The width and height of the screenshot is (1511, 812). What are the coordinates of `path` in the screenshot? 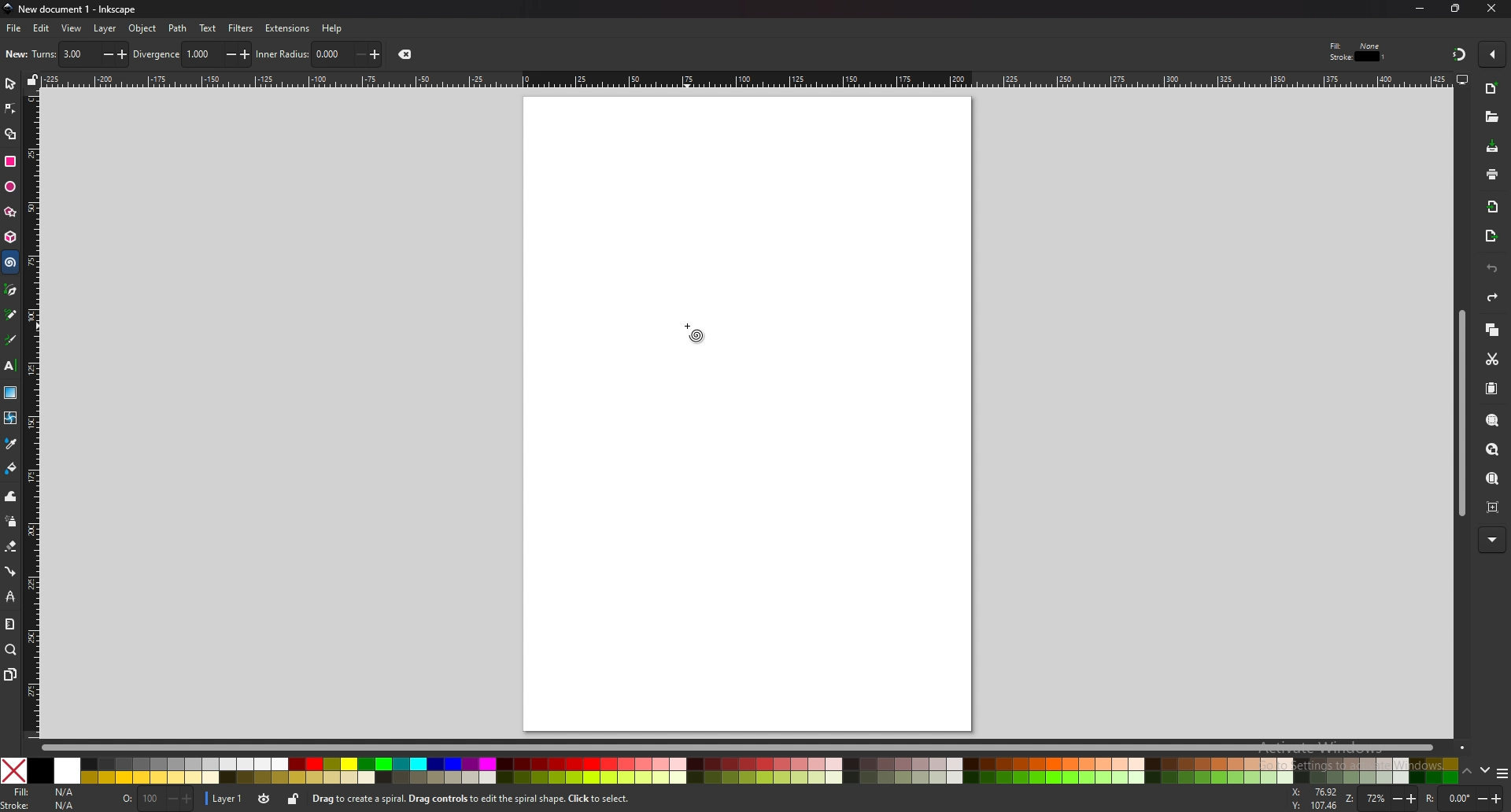 It's located at (178, 28).